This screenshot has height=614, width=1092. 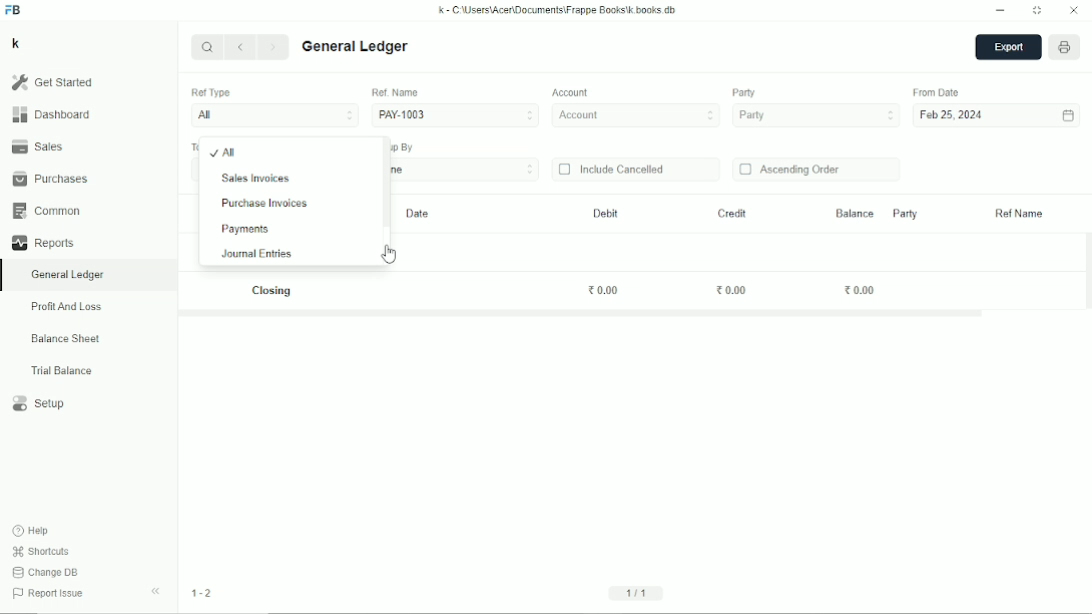 I want to click on Journal entries, so click(x=256, y=253).